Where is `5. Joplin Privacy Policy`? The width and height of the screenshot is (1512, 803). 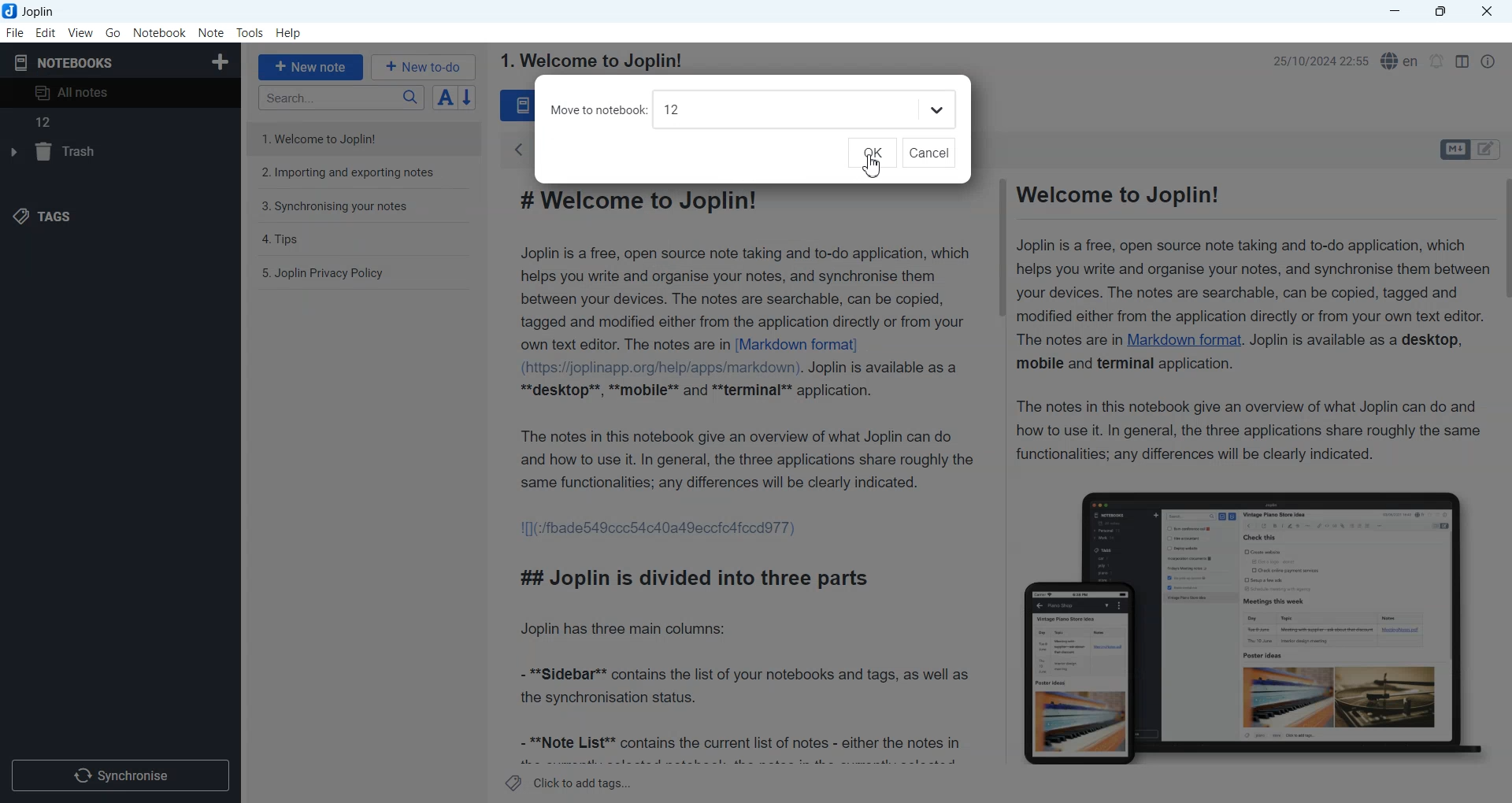
5. Joplin Privacy Policy is located at coordinates (324, 273).